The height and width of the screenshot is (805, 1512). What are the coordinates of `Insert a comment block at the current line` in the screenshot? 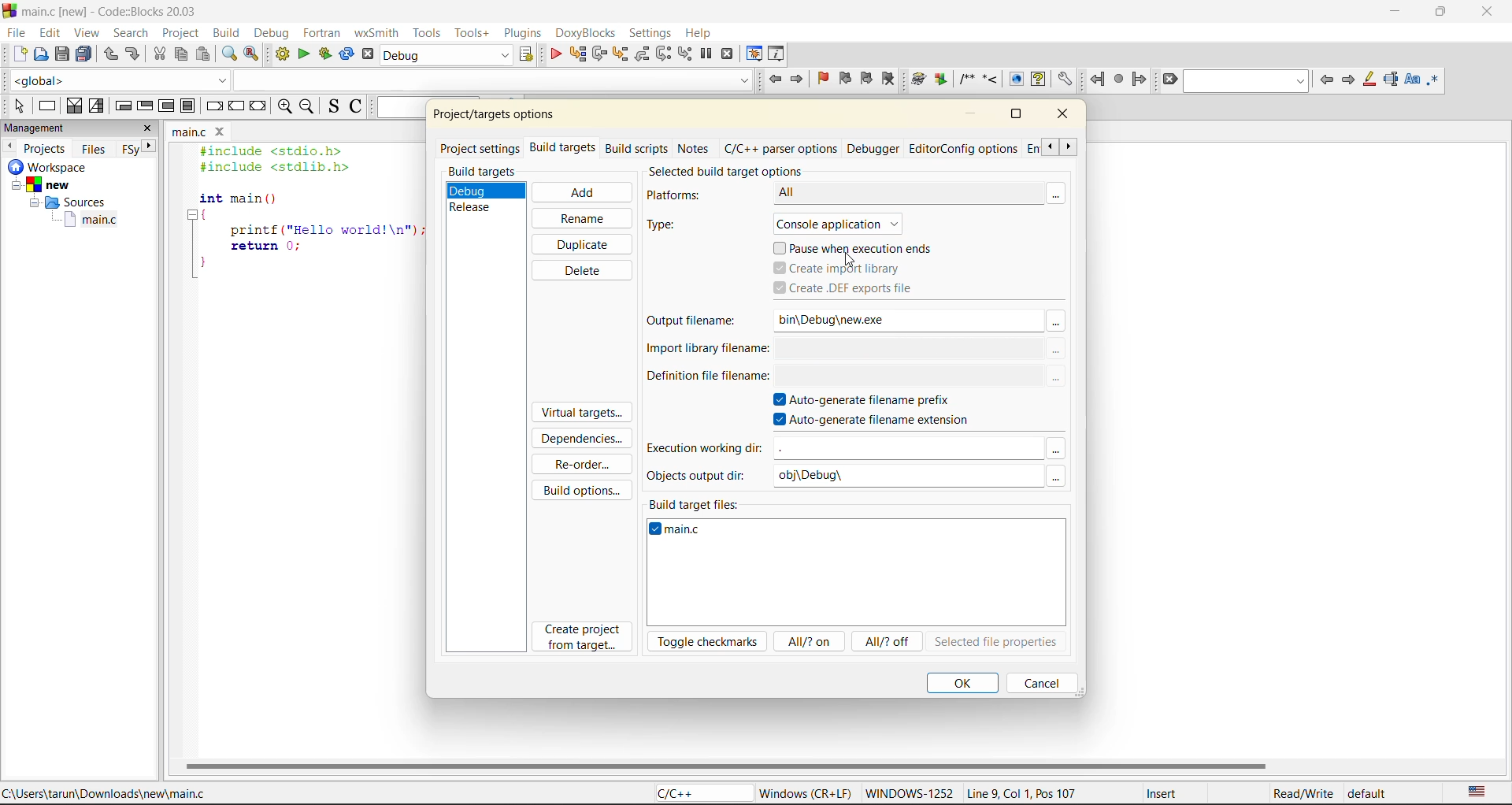 It's located at (966, 80).